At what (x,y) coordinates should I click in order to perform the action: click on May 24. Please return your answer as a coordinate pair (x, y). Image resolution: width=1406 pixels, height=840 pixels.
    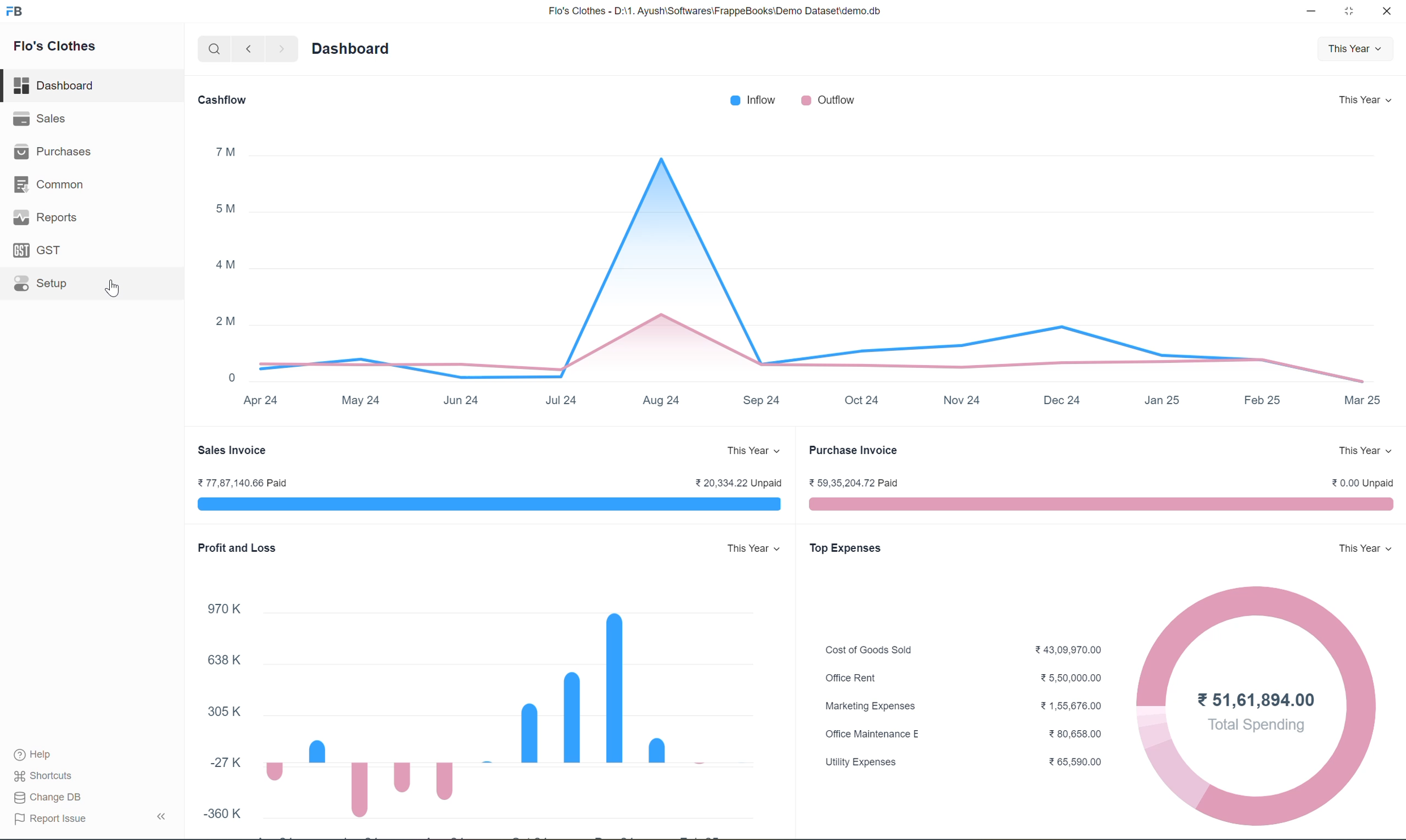
    Looking at the image, I should click on (361, 400).